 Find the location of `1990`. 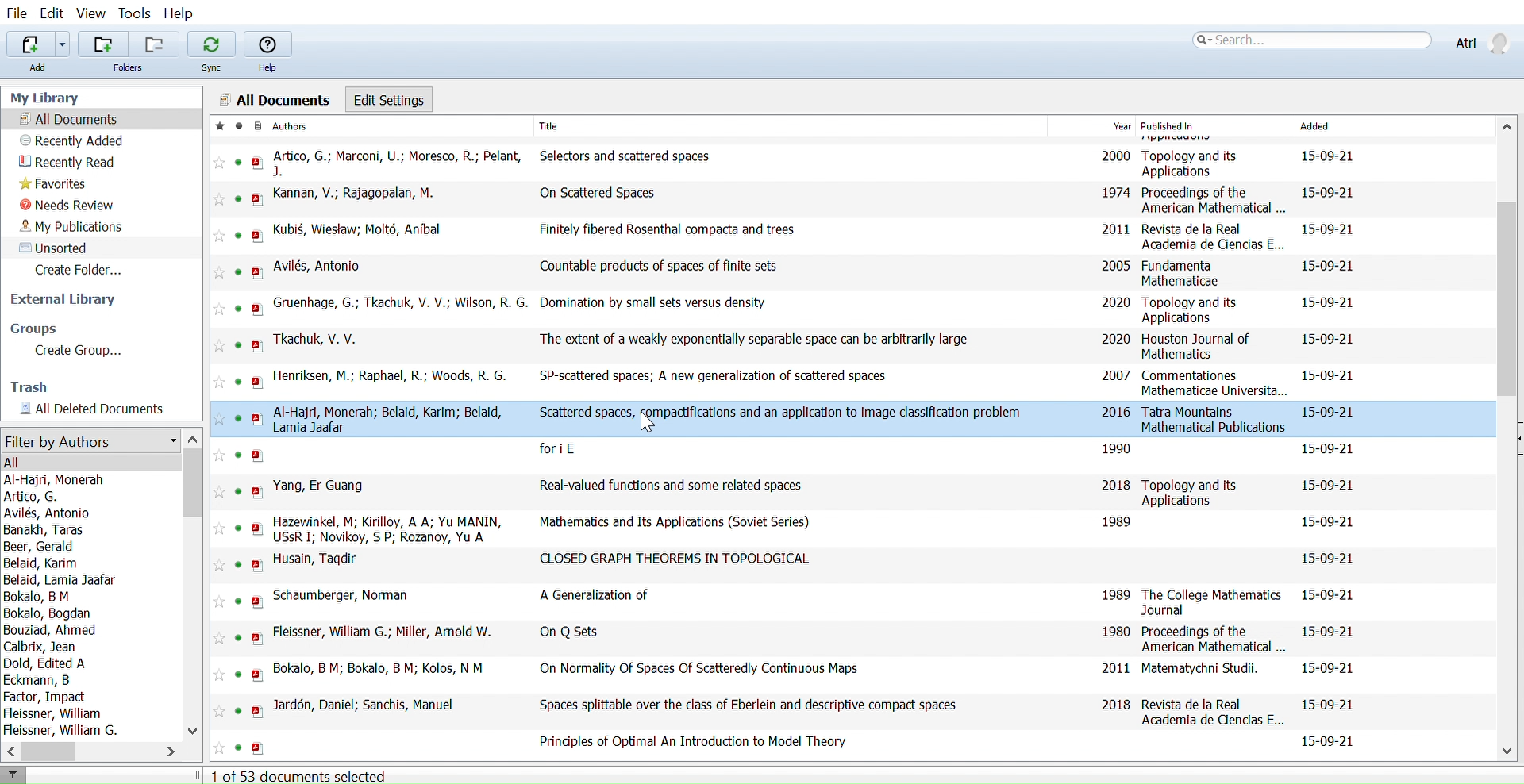

1990 is located at coordinates (1115, 447).